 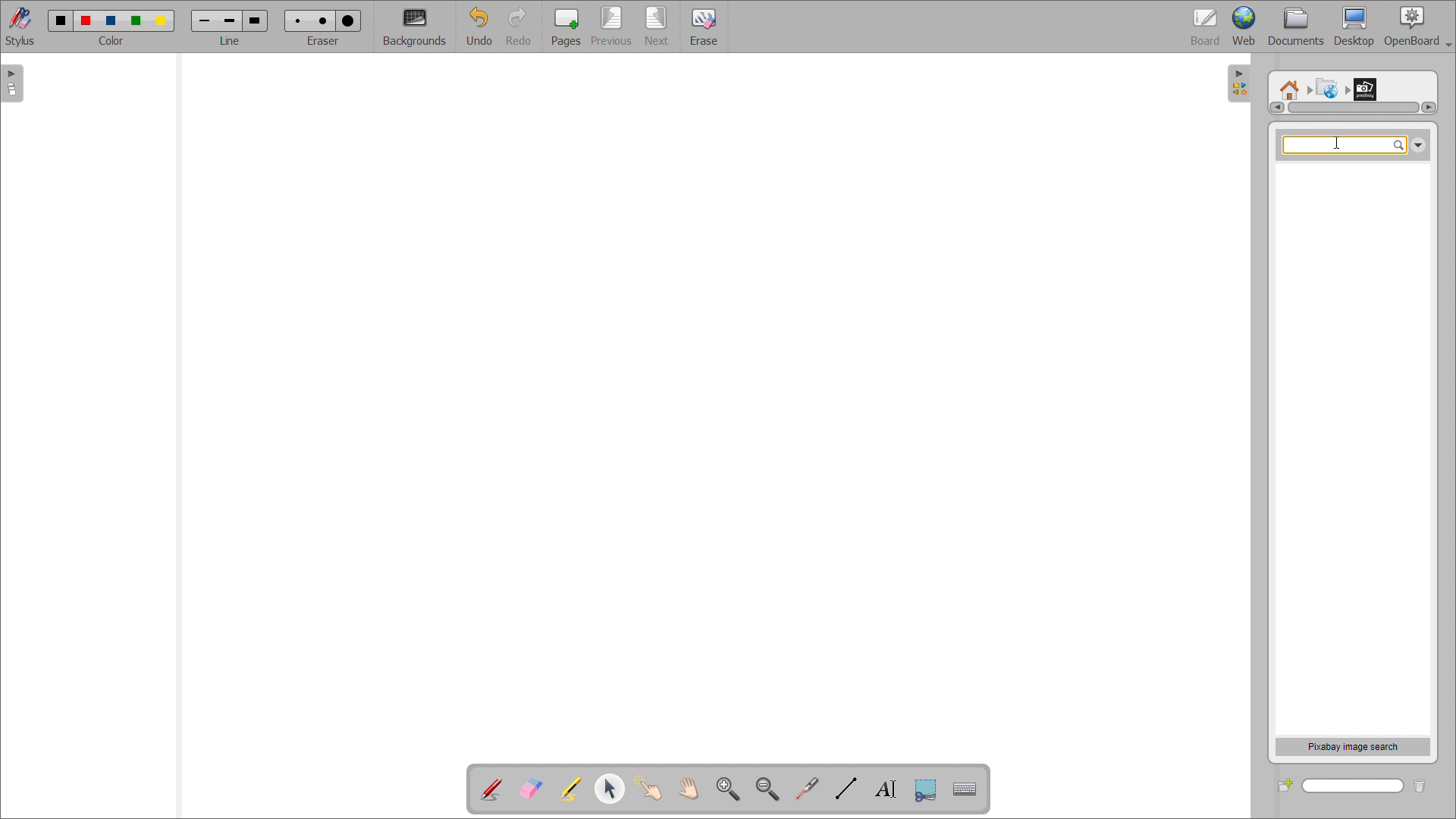 What do you see at coordinates (12, 83) in the screenshot?
I see `open page view` at bounding box center [12, 83].